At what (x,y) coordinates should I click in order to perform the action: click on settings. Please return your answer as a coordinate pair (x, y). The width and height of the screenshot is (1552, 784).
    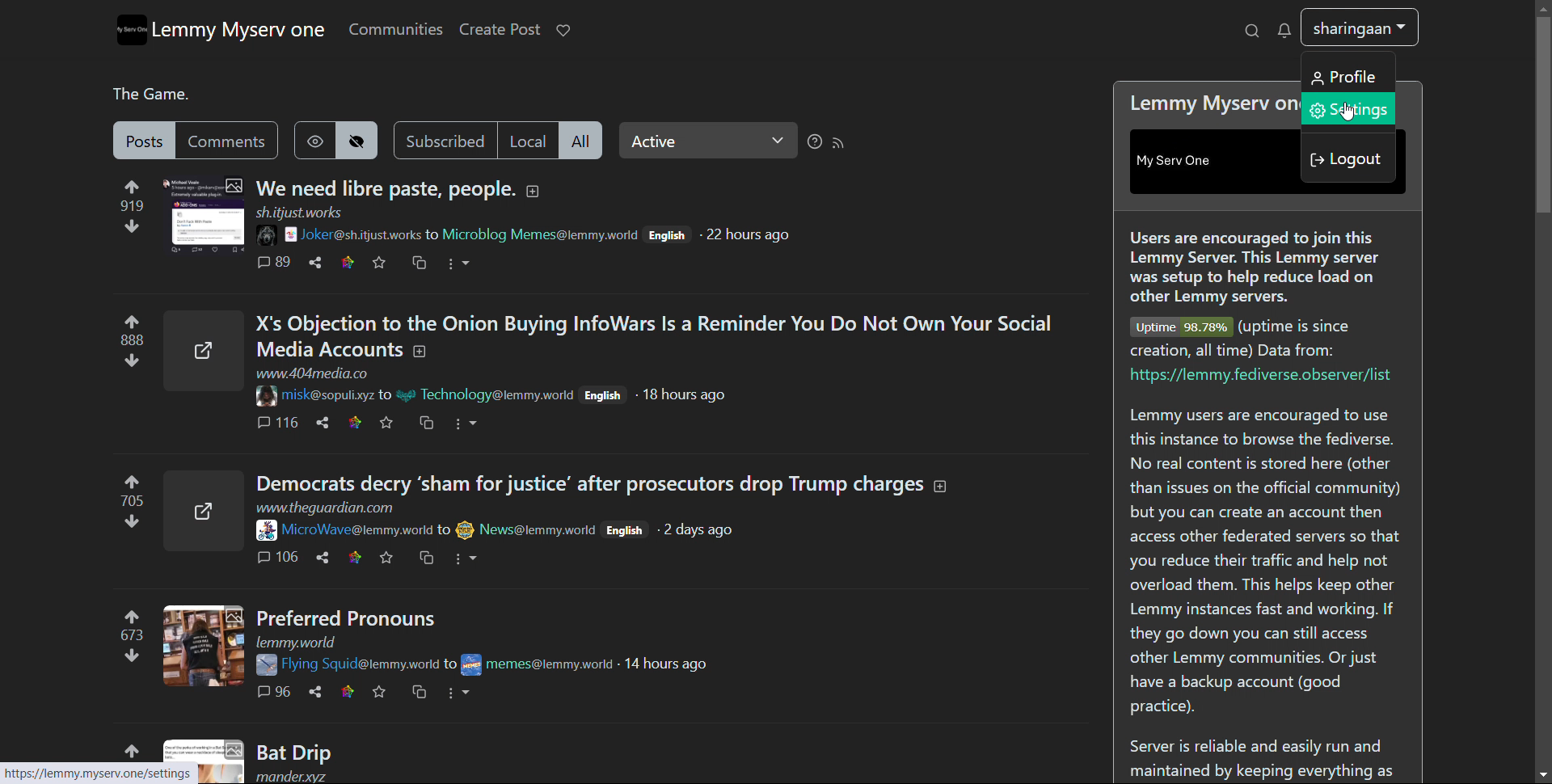
    Looking at the image, I should click on (1347, 108).